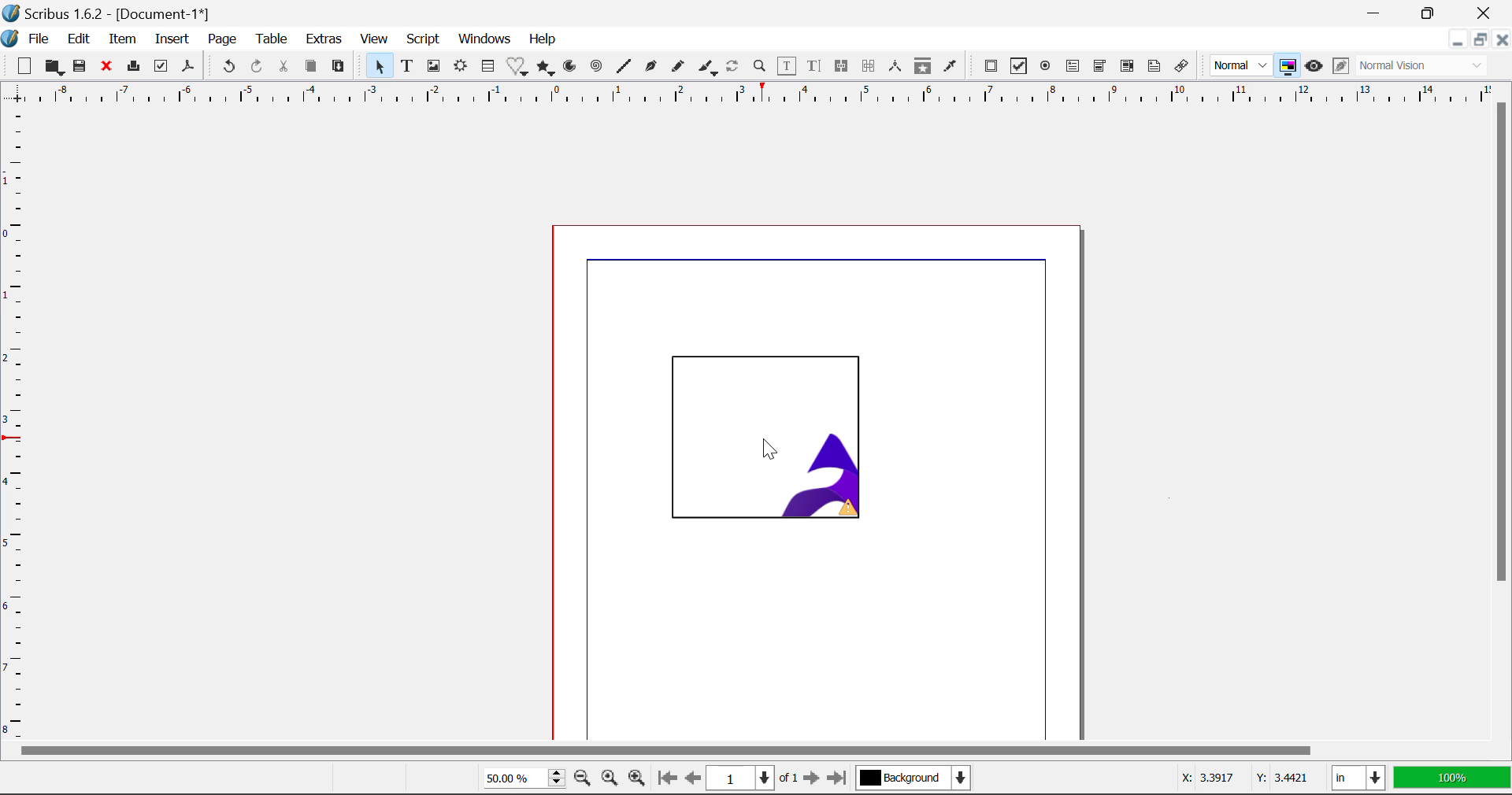 The width and height of the screenshot is (1512, 795). I want to click on Undo, so click(228, 66).